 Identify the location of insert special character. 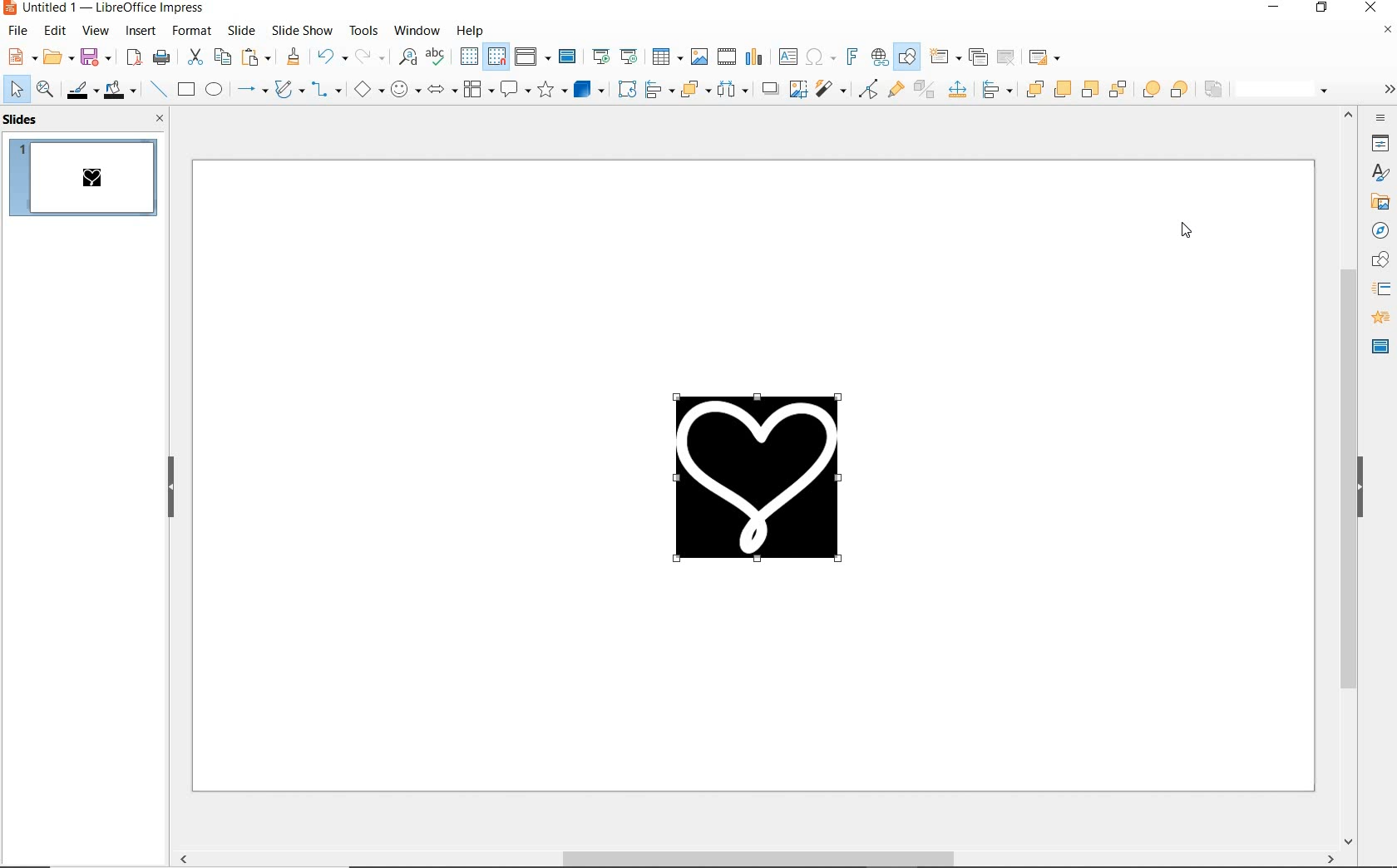
(820, 57).